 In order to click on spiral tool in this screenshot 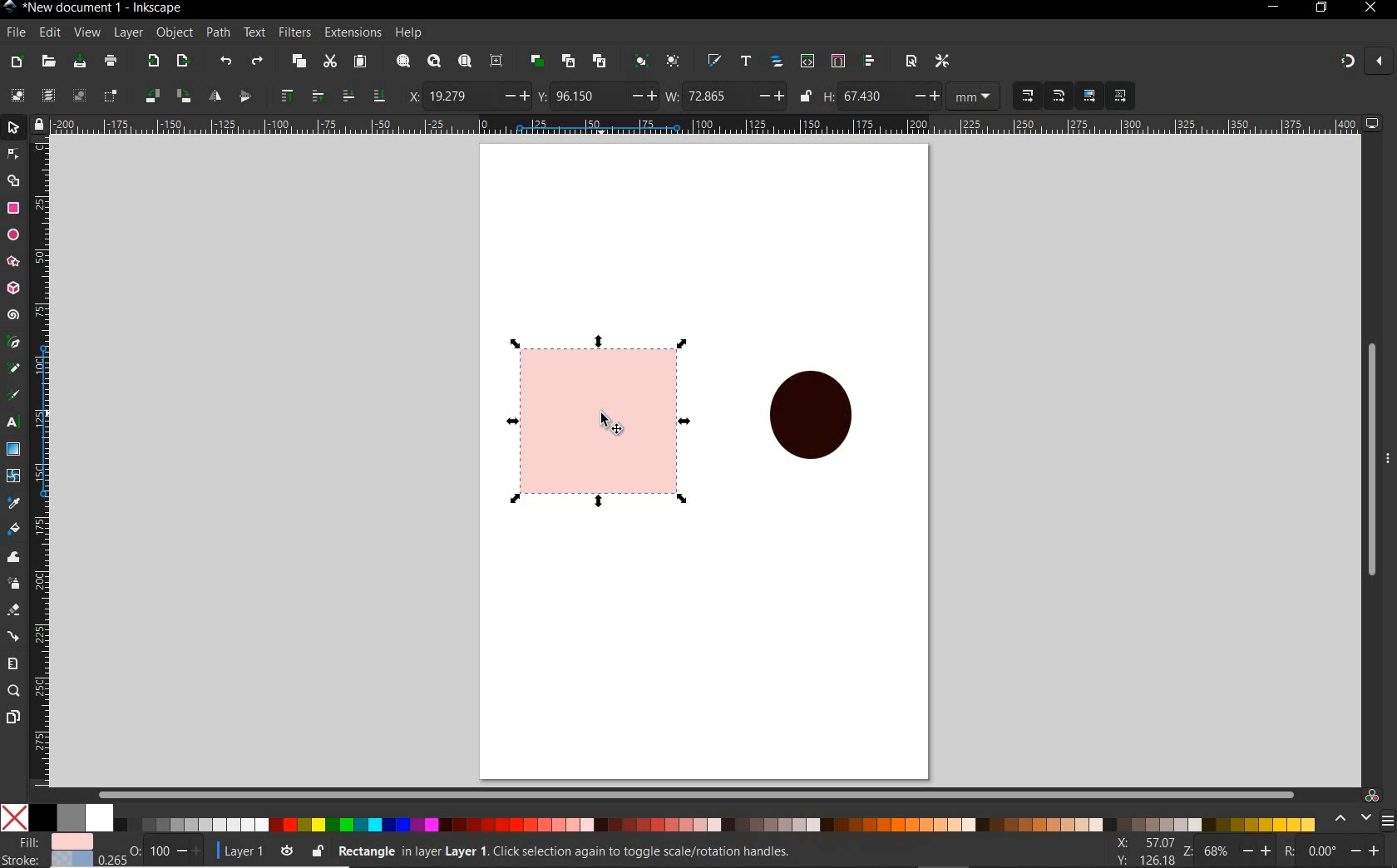, I will do `click(13, 314)`.